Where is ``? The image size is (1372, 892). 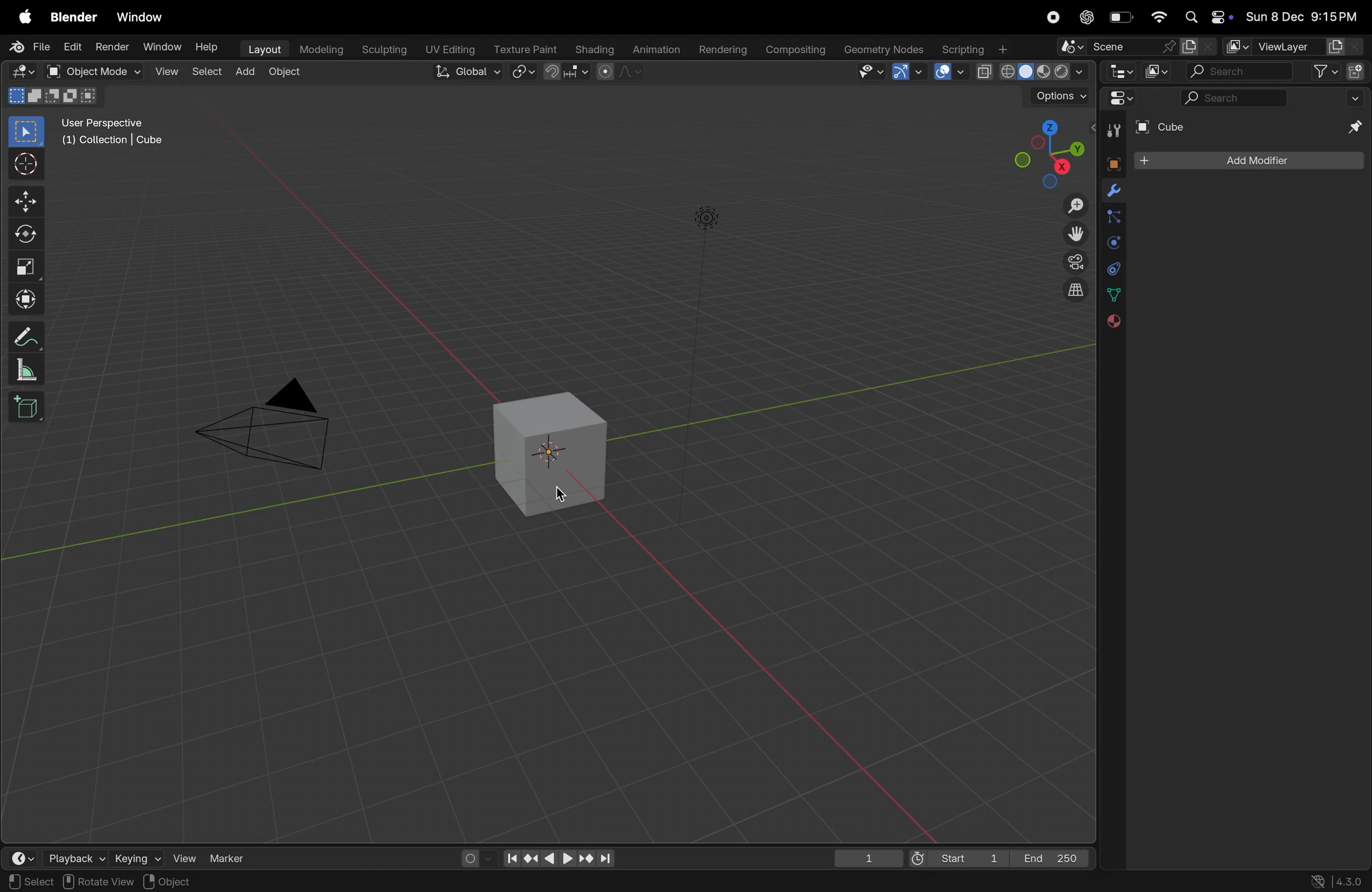  is located at coordinates (567, 74).